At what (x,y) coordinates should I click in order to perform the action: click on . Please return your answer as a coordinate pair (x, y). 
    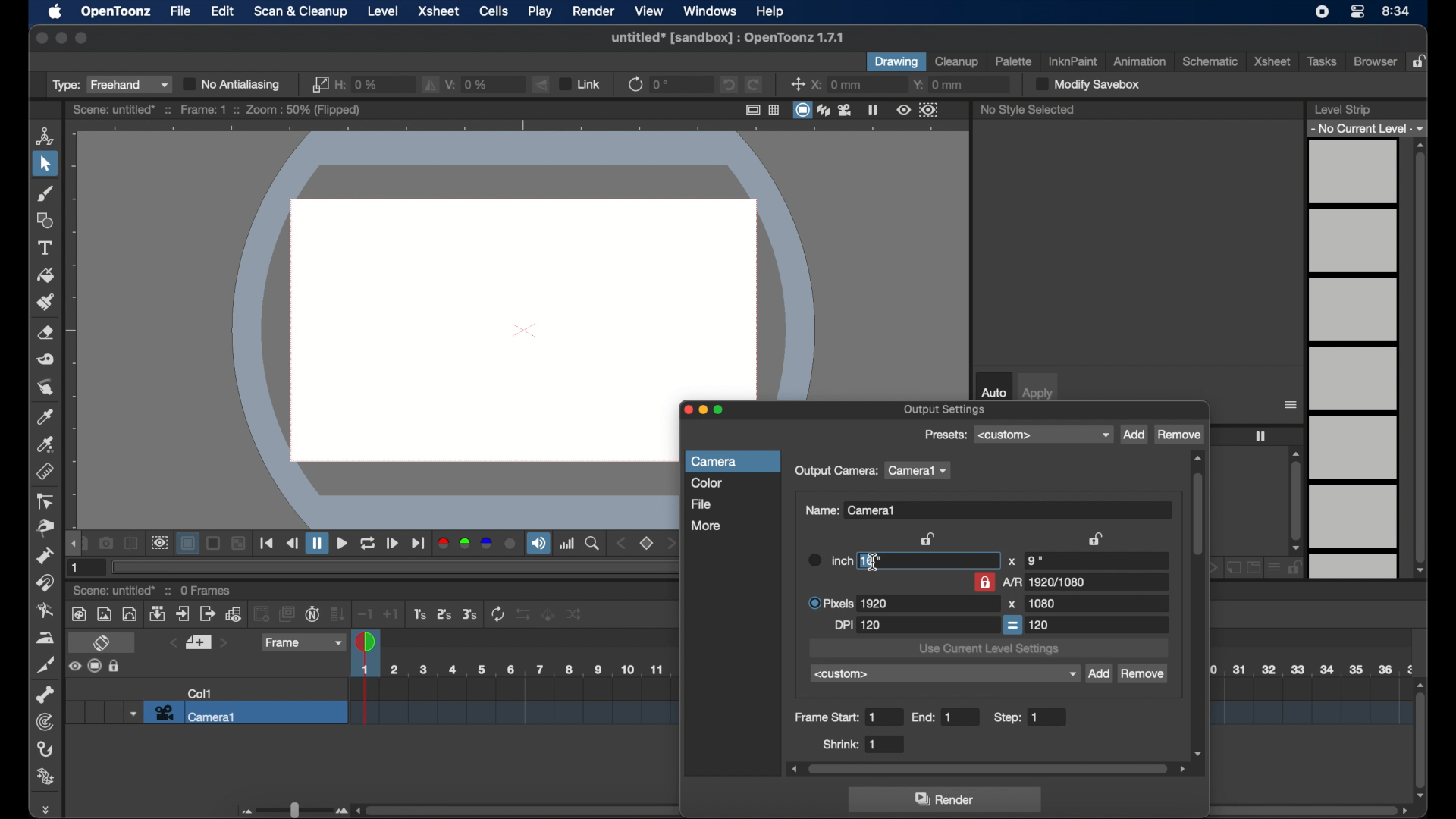
    Looking at the image, I should click on (313, 614).